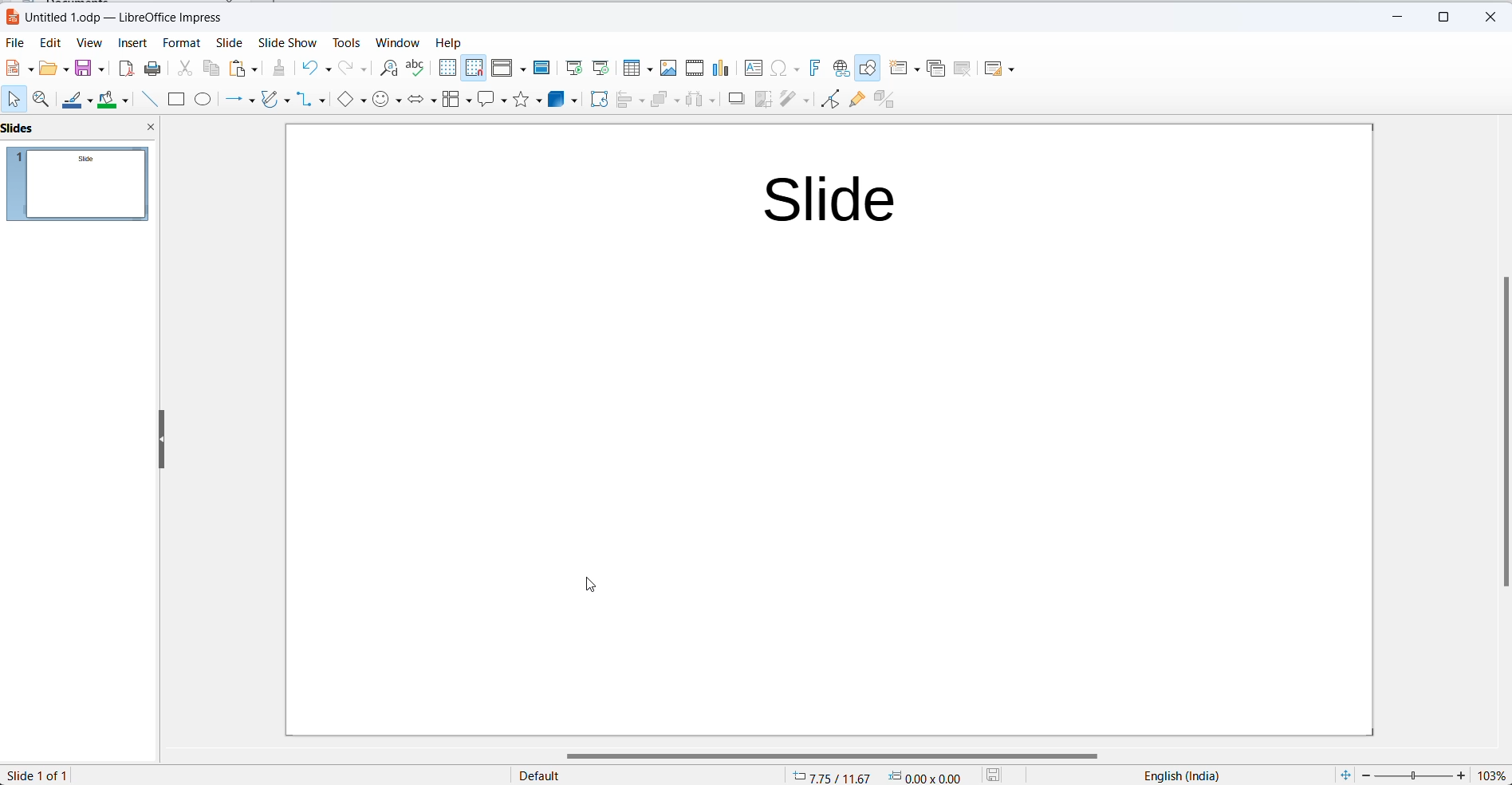 The image size is (1512, 785). I want to click on Help, so click(453, 42).